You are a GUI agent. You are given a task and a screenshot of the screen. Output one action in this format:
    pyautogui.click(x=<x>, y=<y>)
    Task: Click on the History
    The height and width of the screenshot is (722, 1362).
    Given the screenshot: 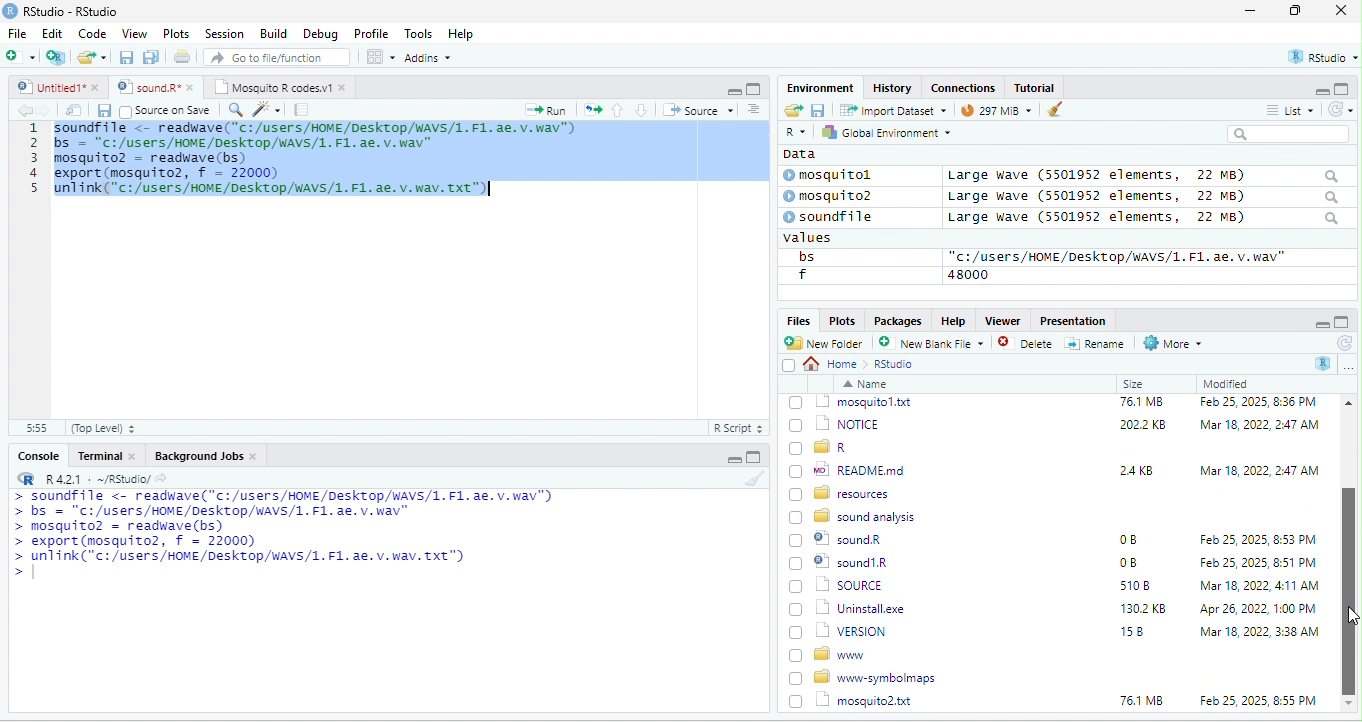 What is the action you would take?
    pyautogui.click(x=893, y=87)
    